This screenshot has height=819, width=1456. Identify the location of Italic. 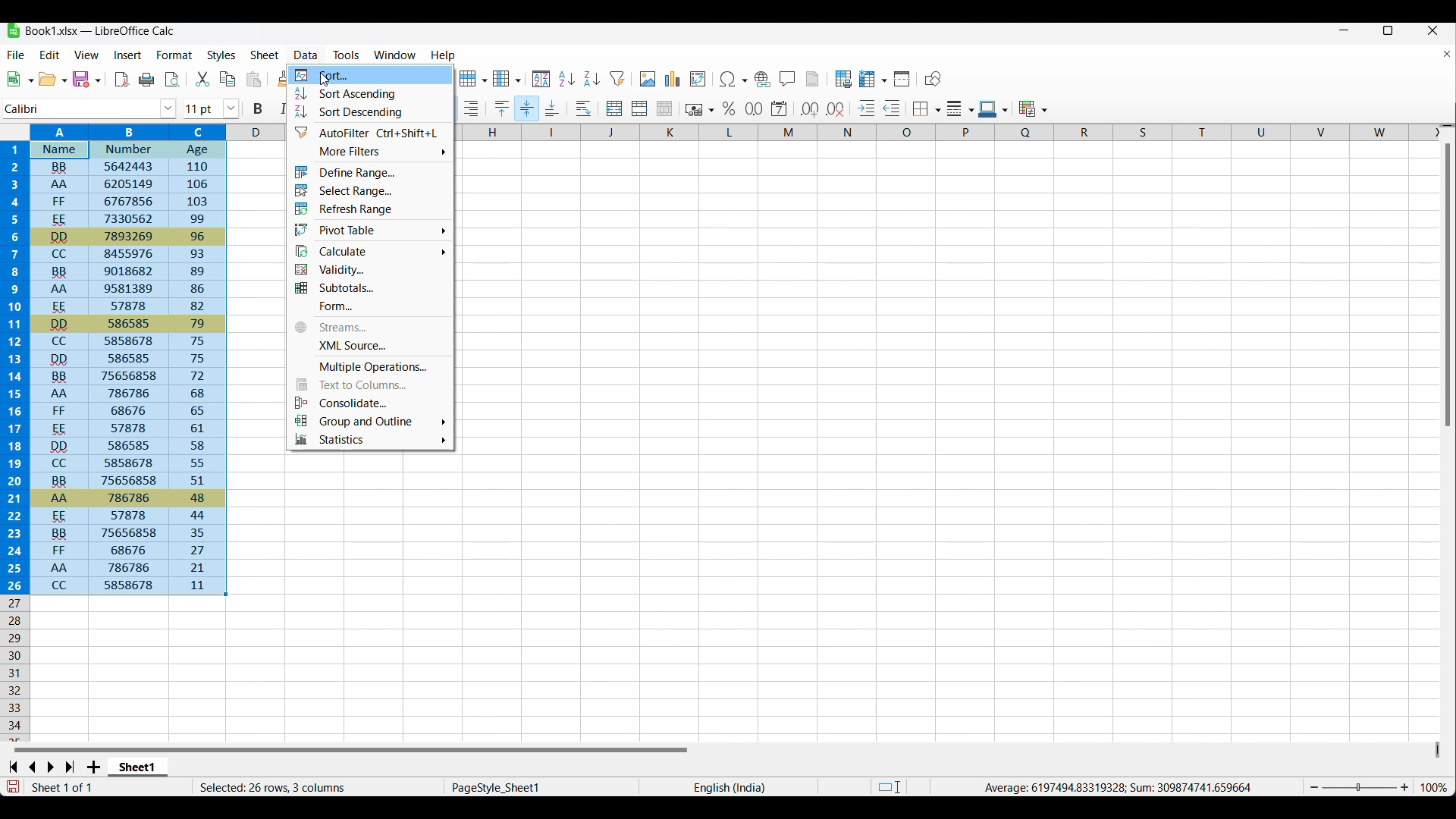
(284, 108).